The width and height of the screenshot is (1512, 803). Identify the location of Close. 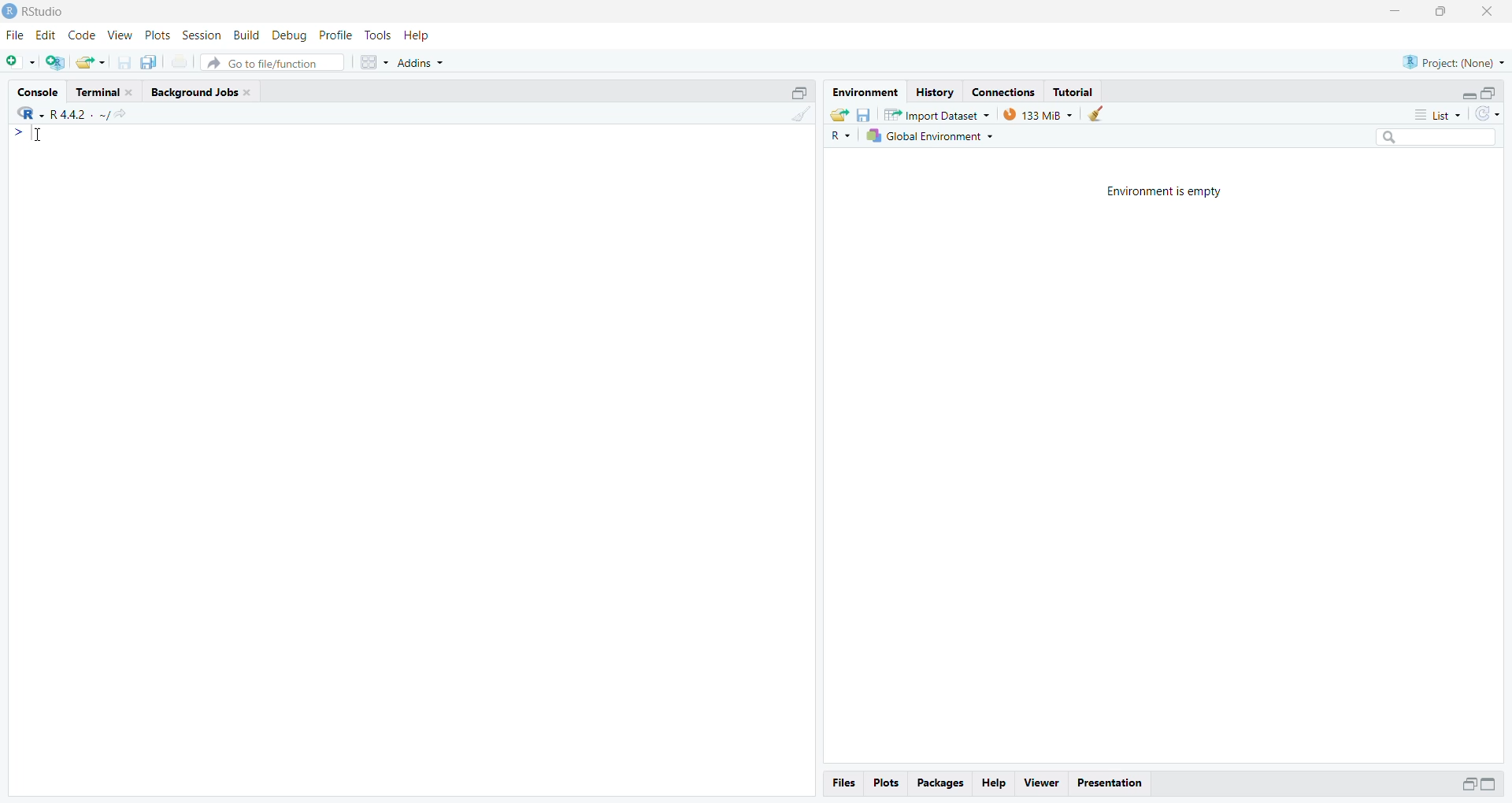
(1480, 13).